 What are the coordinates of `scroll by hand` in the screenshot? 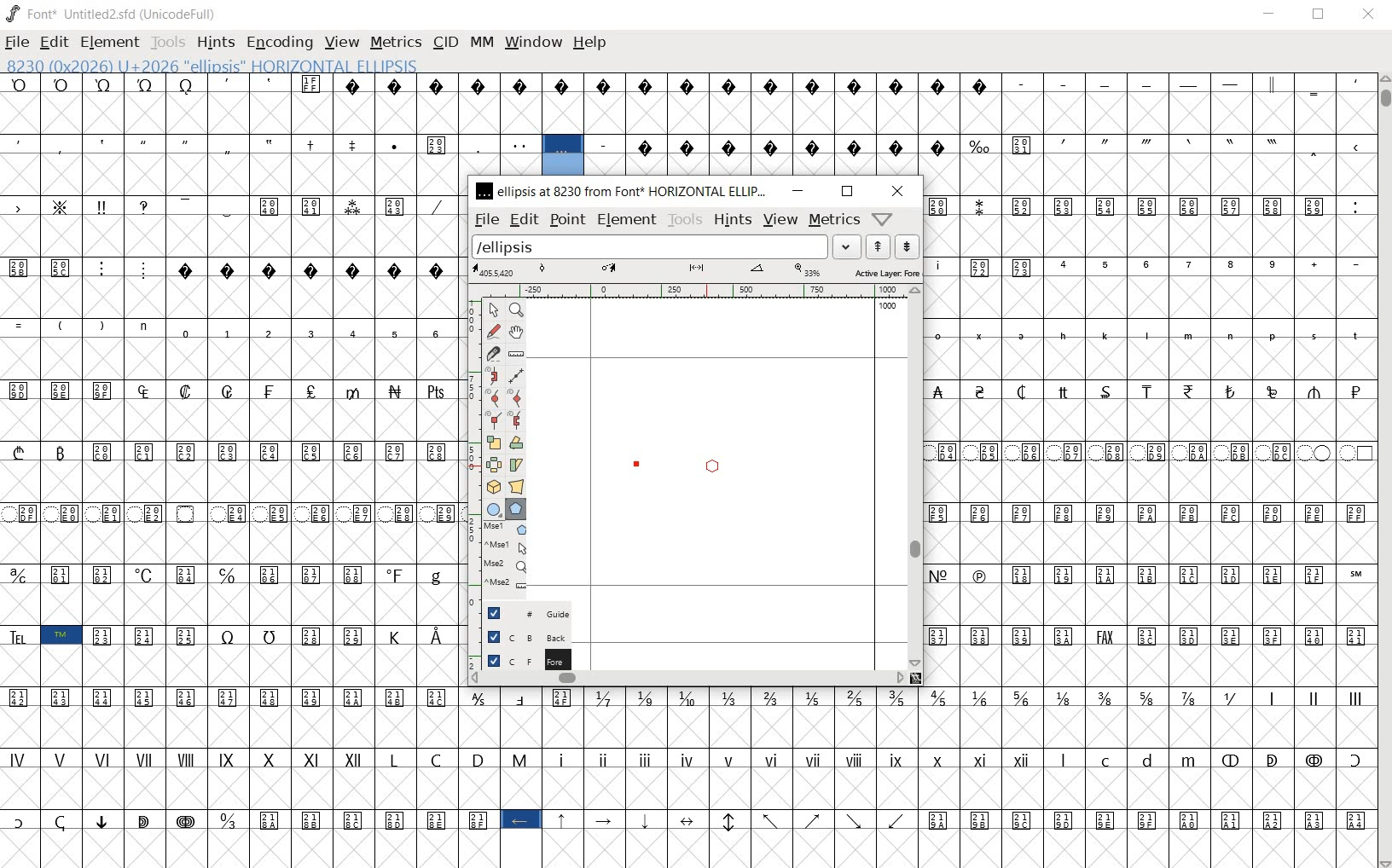 It's located at (518, 333).